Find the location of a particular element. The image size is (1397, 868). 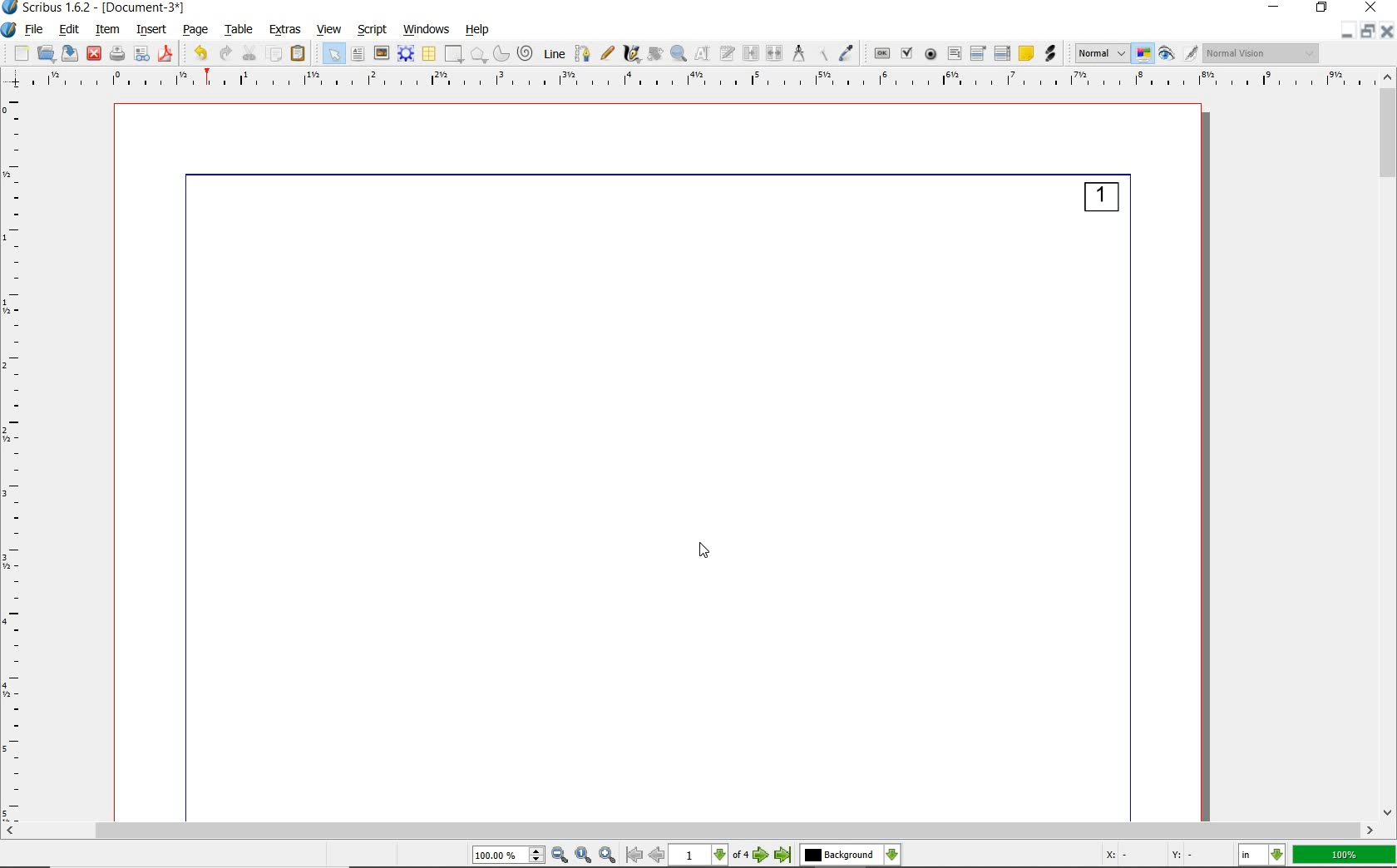

insert is located at coordinates (151, 30).